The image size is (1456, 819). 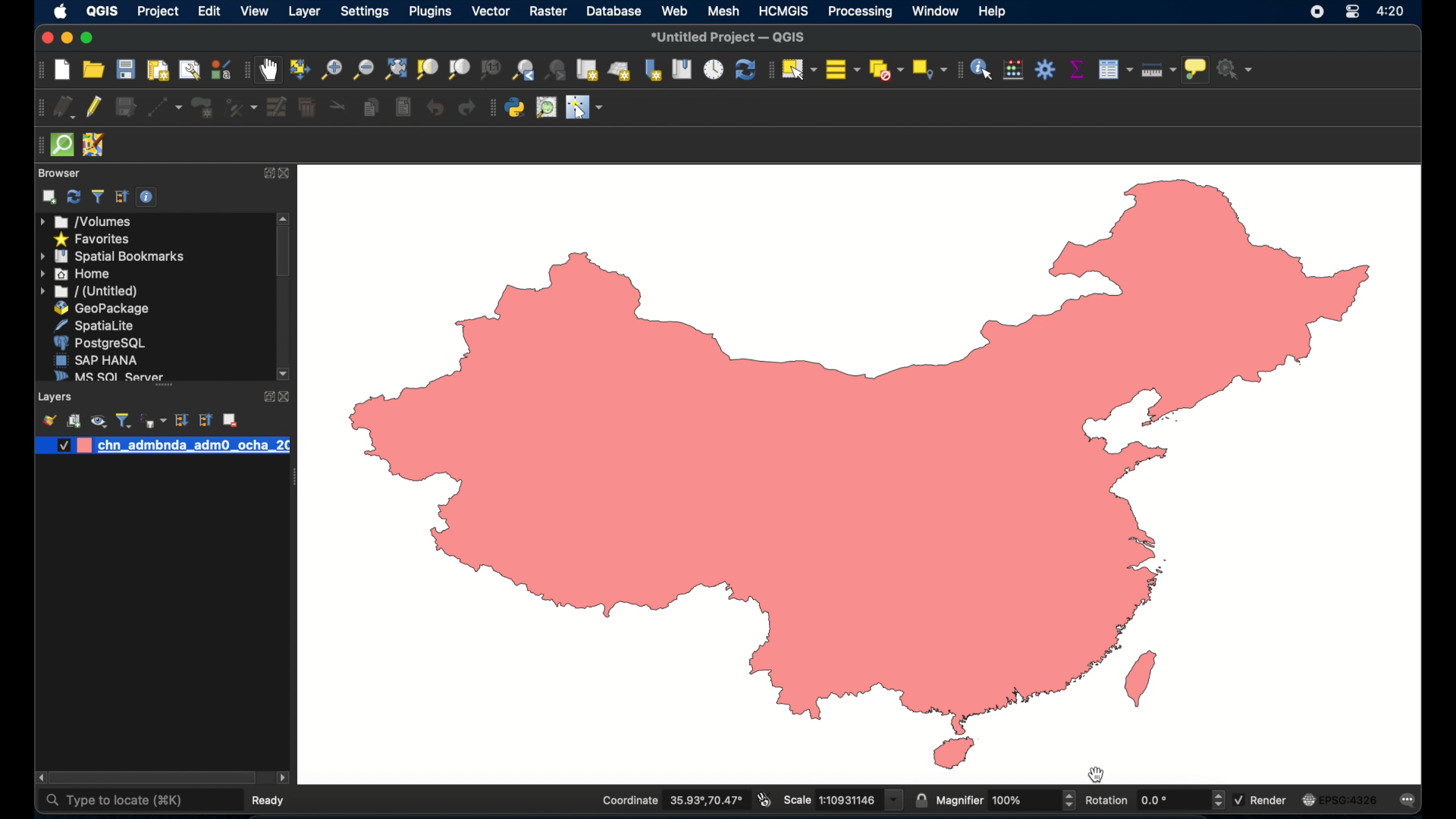 I want to click on scroll right, so click(x=38, y=778).